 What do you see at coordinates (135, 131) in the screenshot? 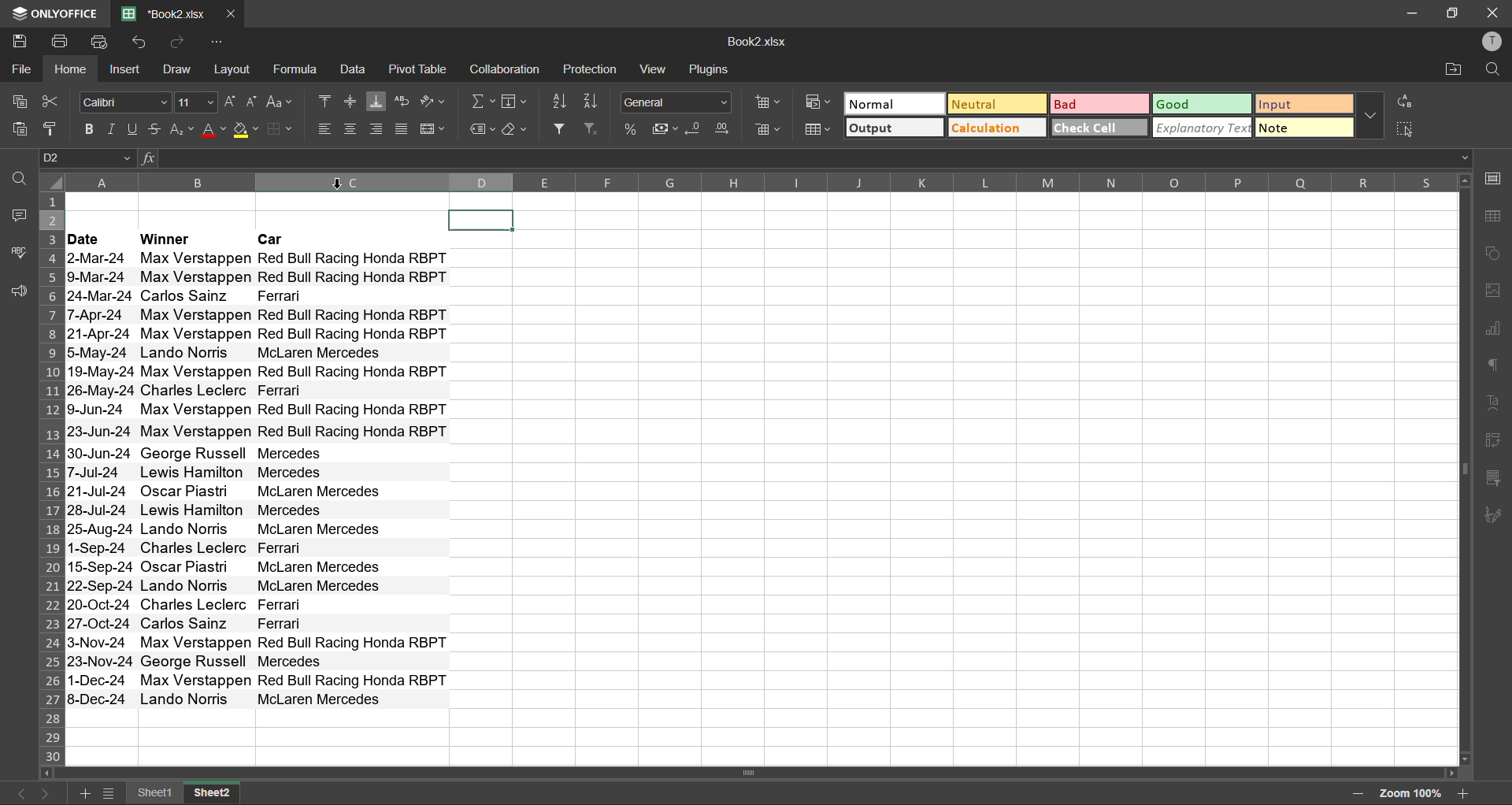
I see `underline` at bounding box center [135, 131].